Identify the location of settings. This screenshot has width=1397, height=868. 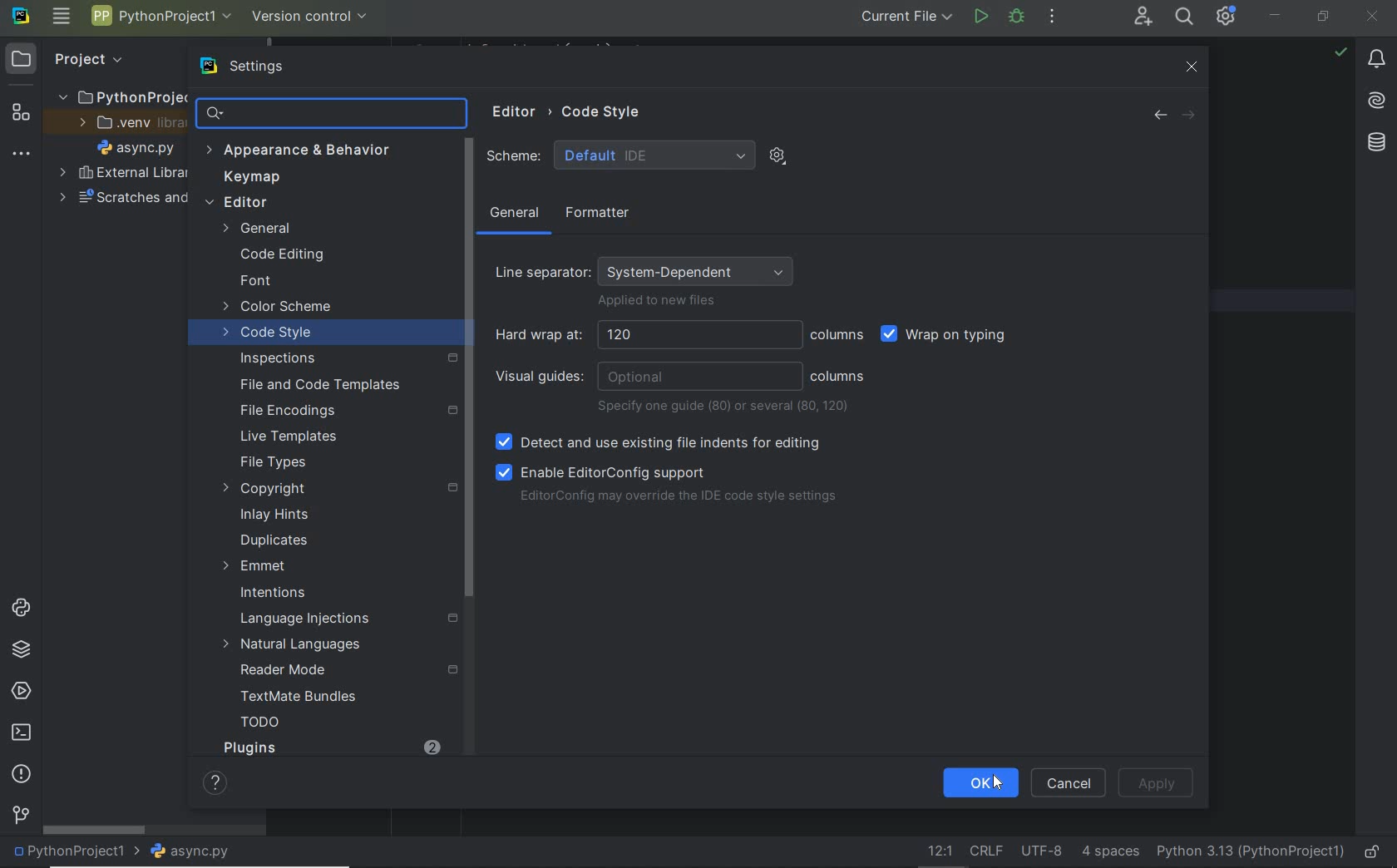
(264, 67).